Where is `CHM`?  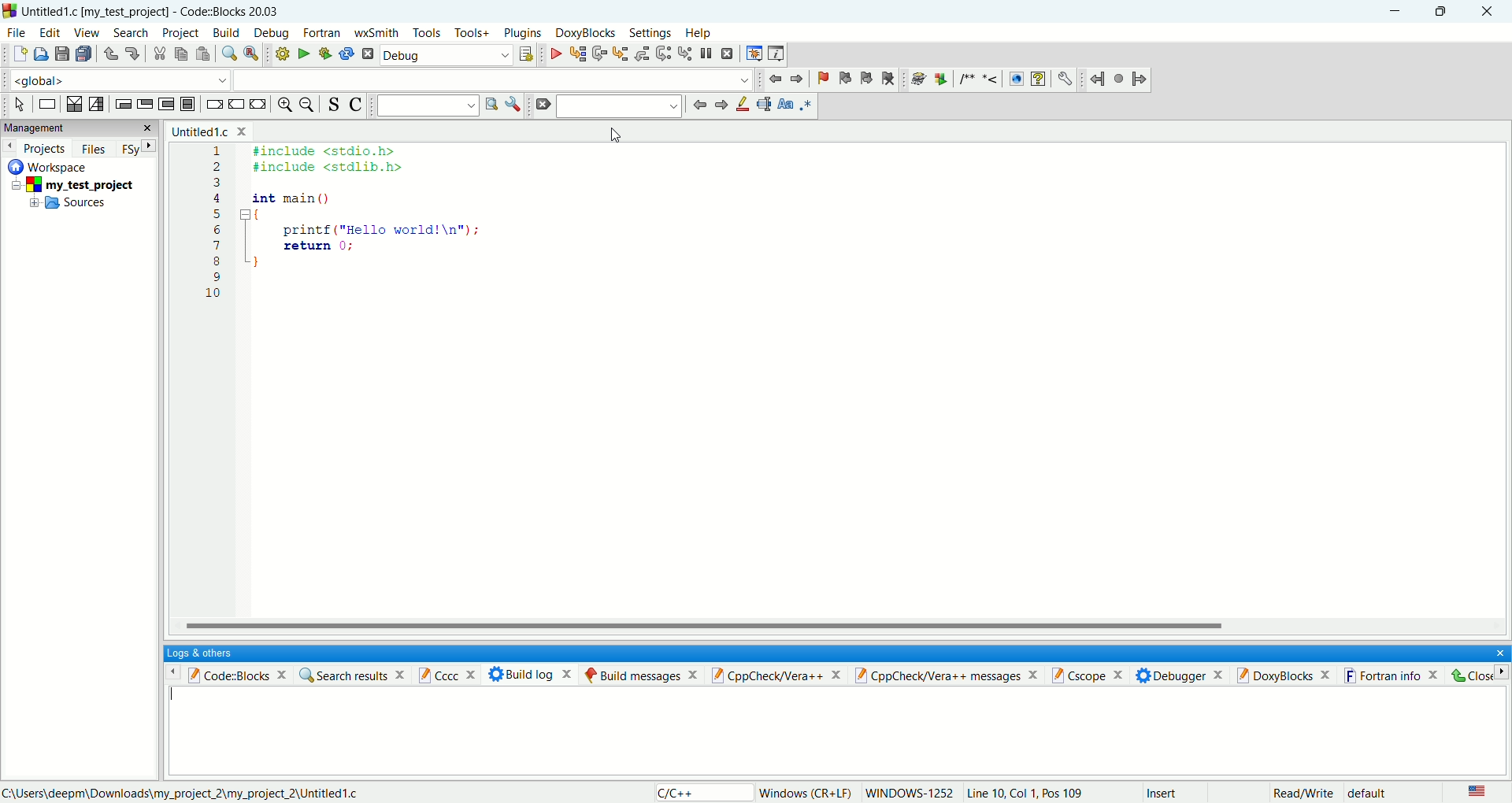 CHM is located at coordinates (1038, 80).